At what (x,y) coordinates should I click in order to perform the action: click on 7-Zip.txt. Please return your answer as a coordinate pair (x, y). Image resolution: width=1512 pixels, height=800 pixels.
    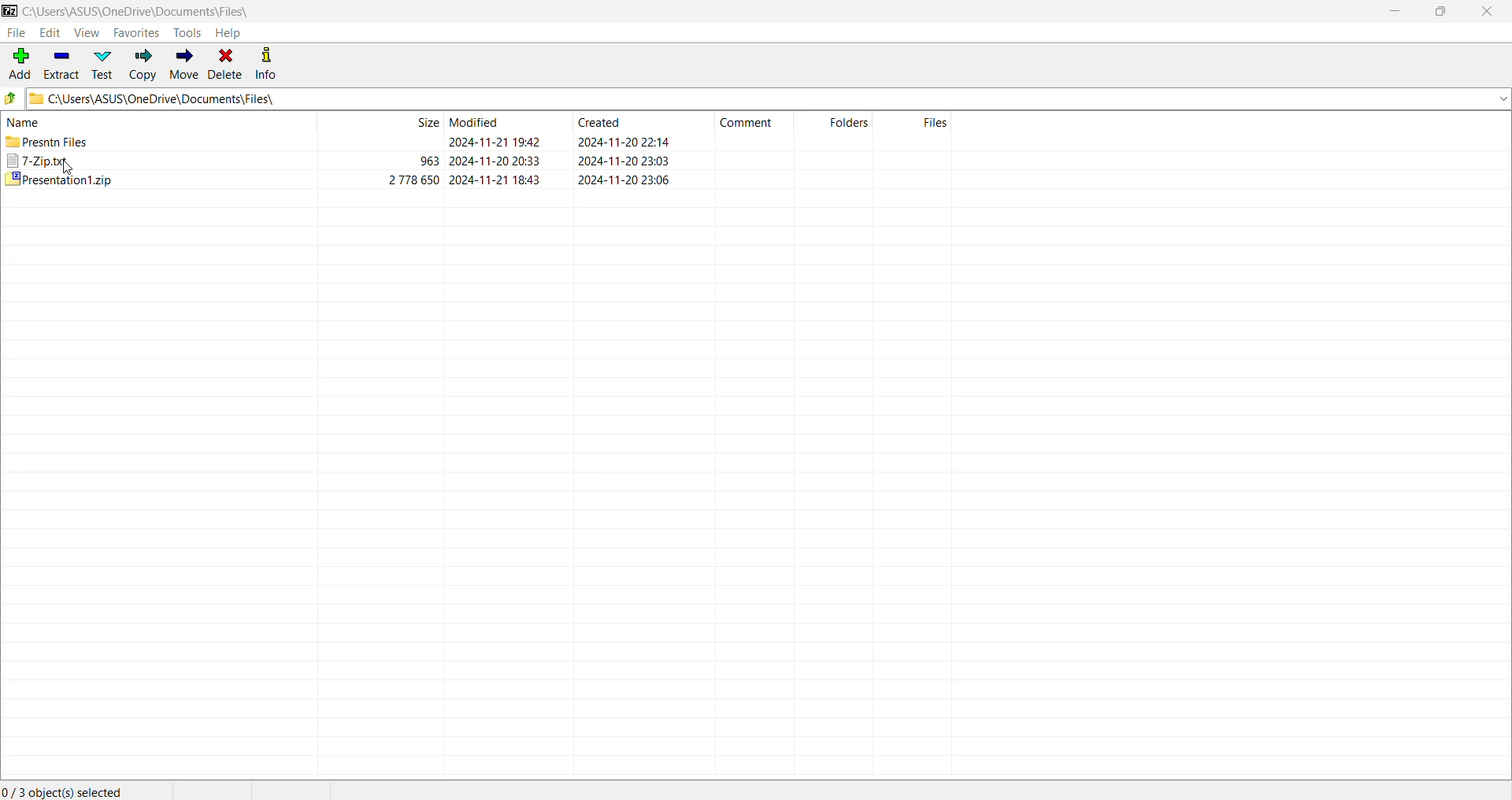
    Looking at the image, I should click on (37, 159).